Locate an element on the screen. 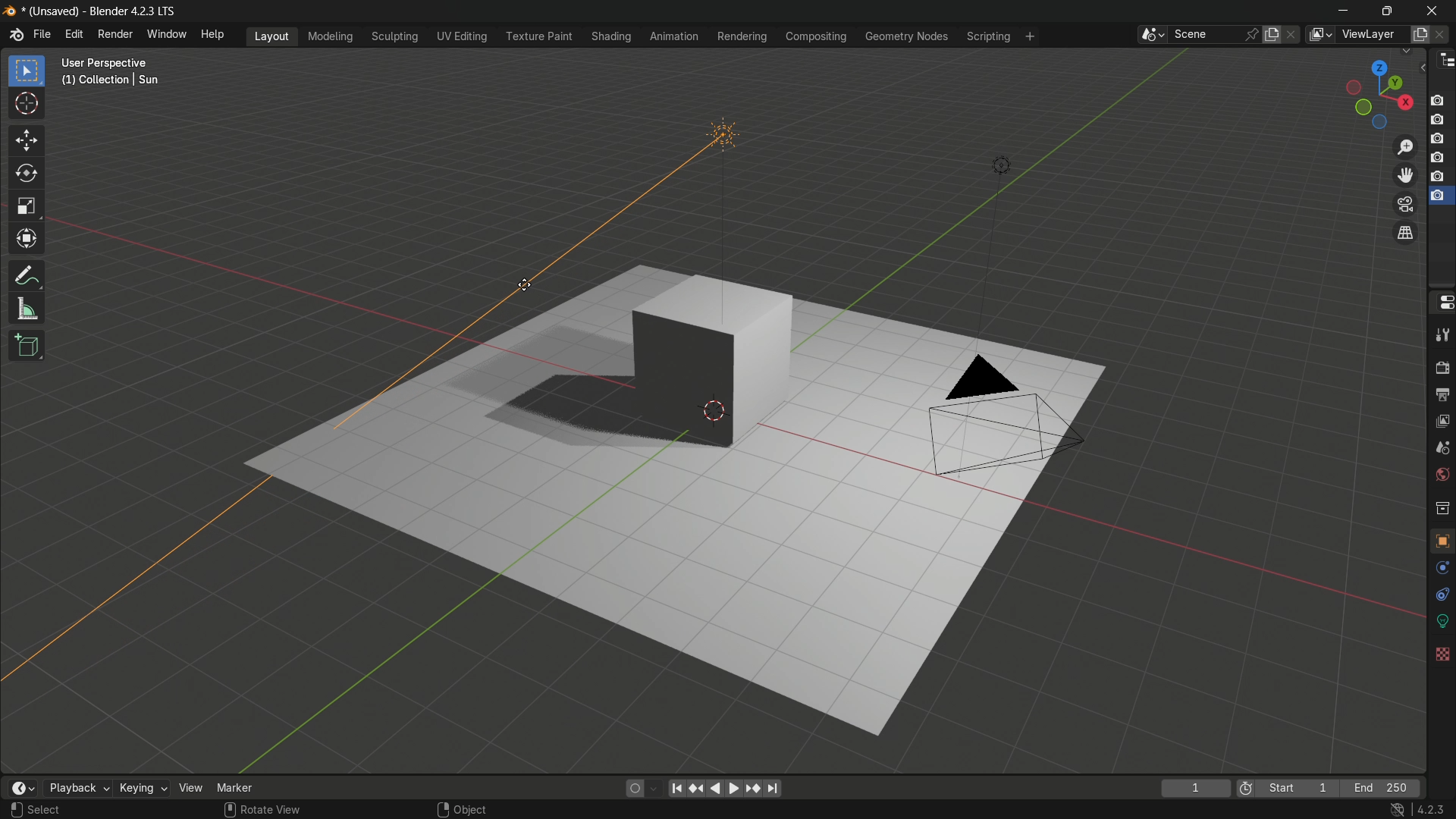 The width and height of the screenshot is (1456, 819). auto keyframing is located at coordinates (654, 789).